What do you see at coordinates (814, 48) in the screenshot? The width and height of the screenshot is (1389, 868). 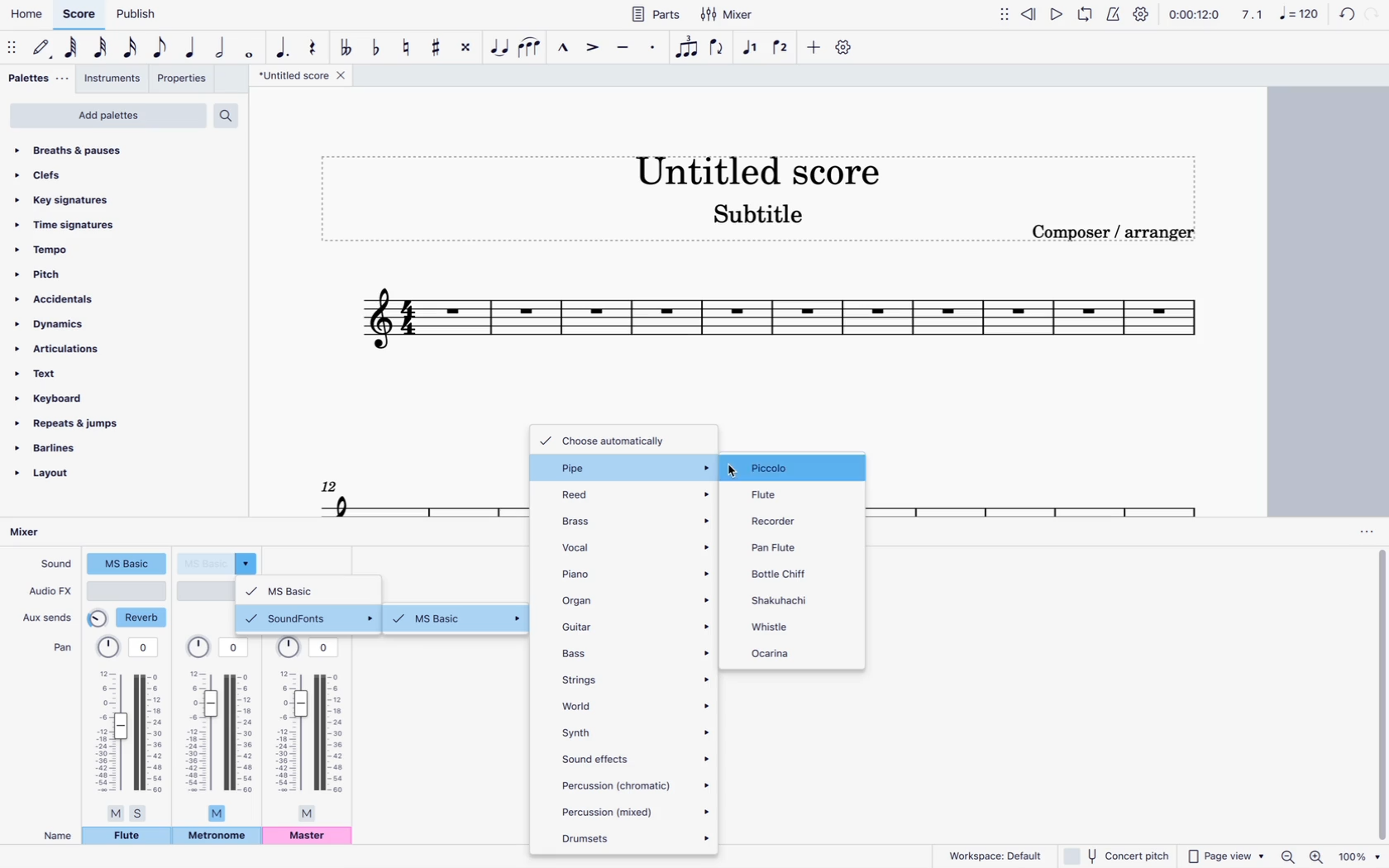 I see `more` at bounding box center [814, 48].